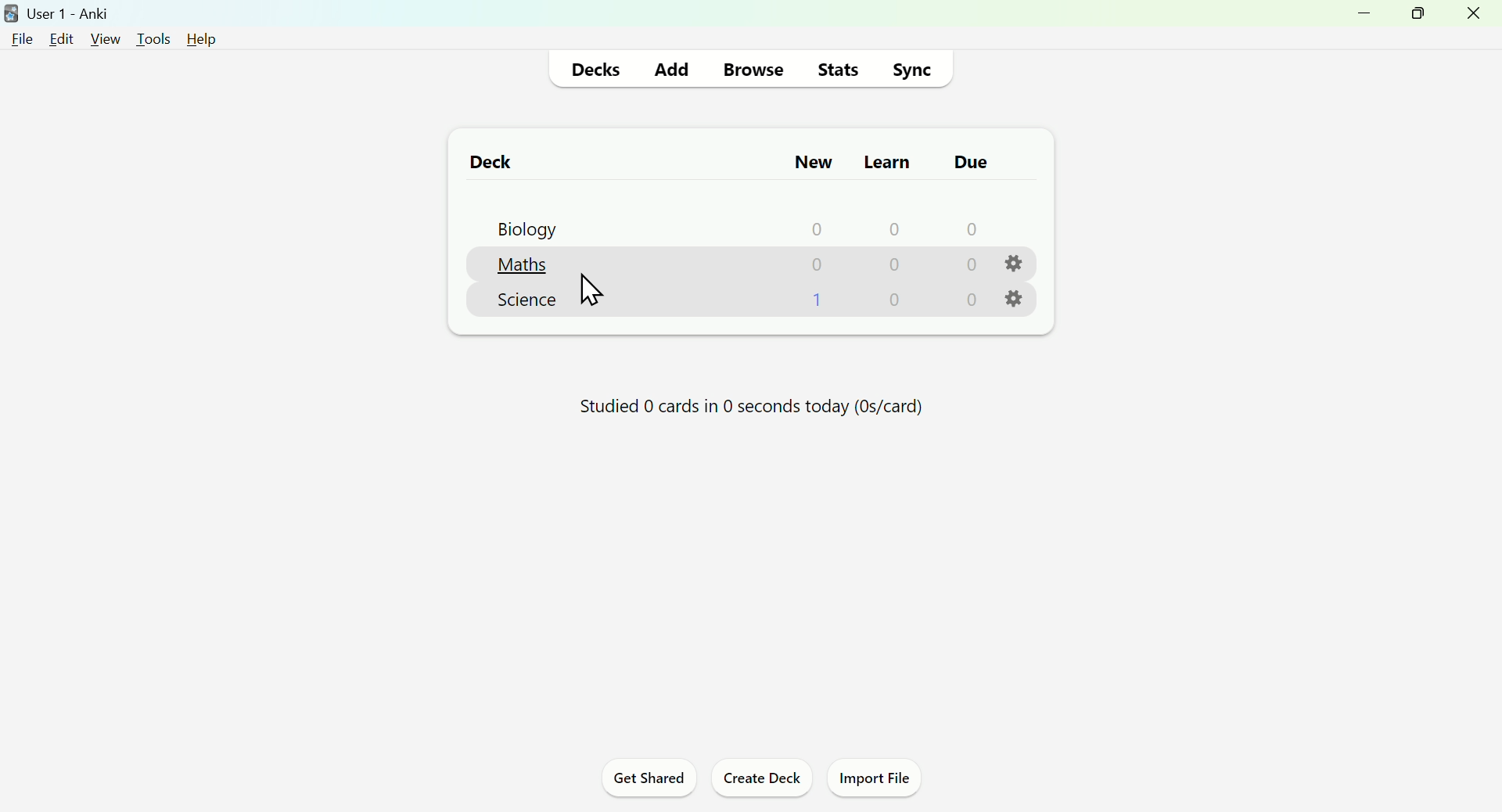 This screenshot has height=812, width=1502. Describe the element at coordinates (749, 411) in the screenshot. I see `Studied 0 cards in 0 seconds today (Os/card)` at that location.